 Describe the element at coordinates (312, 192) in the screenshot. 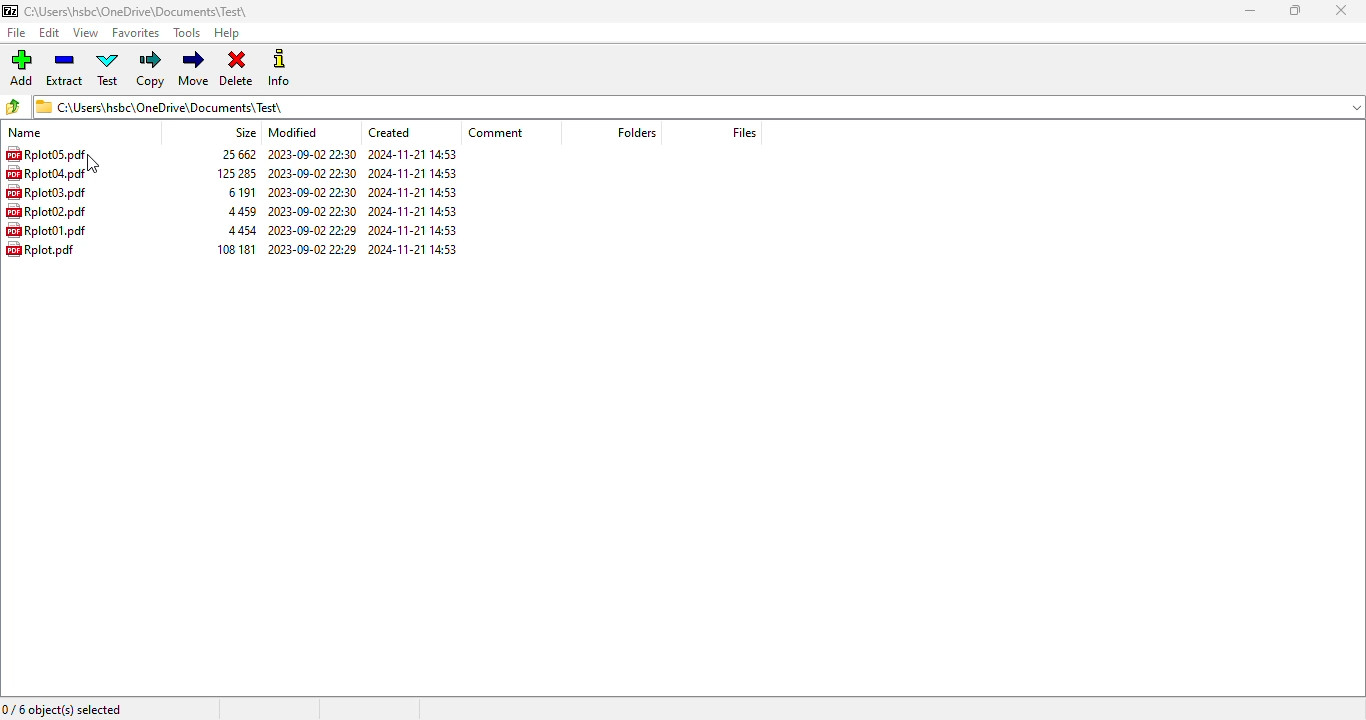

I see `modified date & time` at that location.